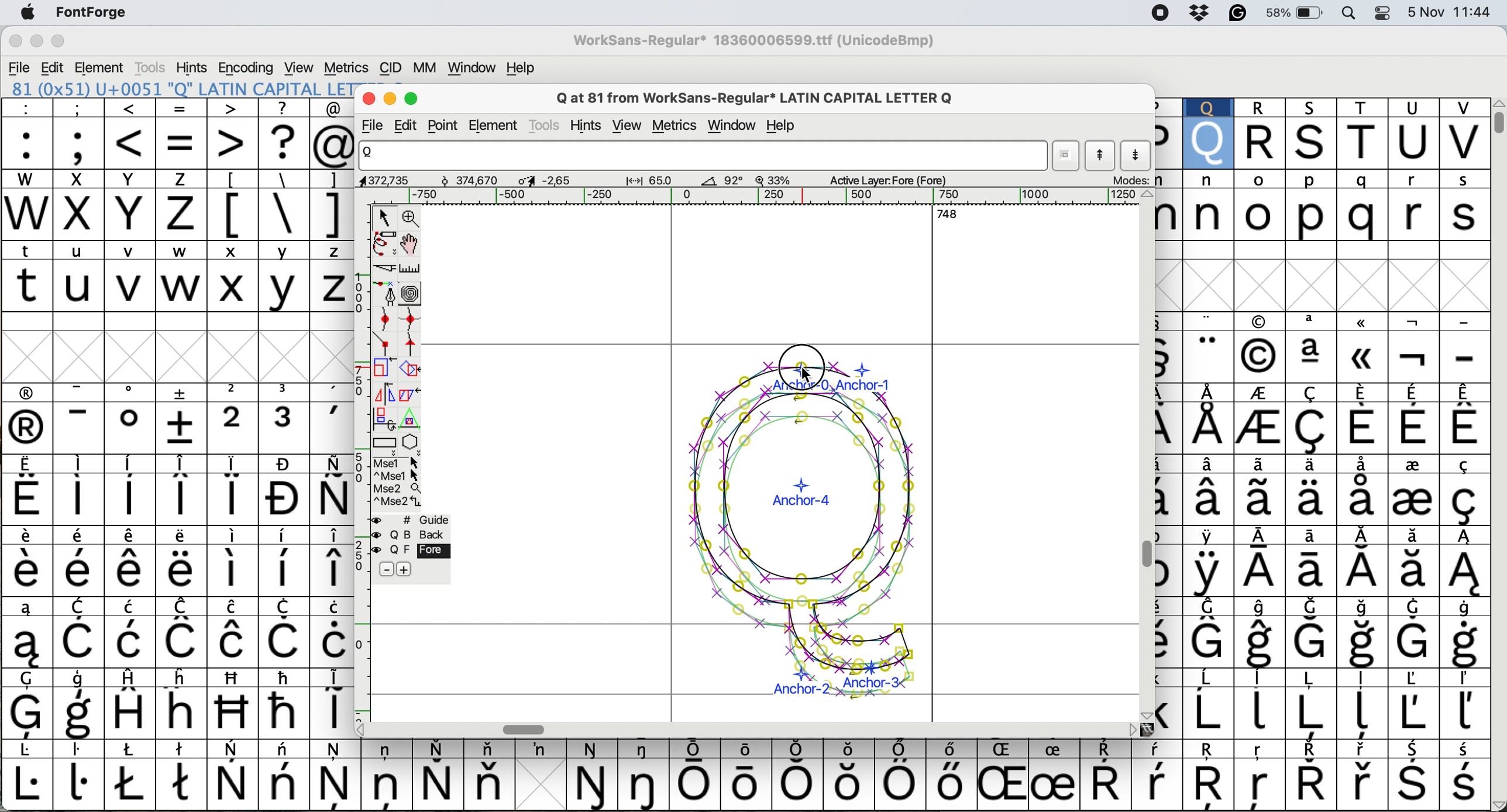 The image size is (1507, 812). I want to click on uppercase letters, so click(112, 180).